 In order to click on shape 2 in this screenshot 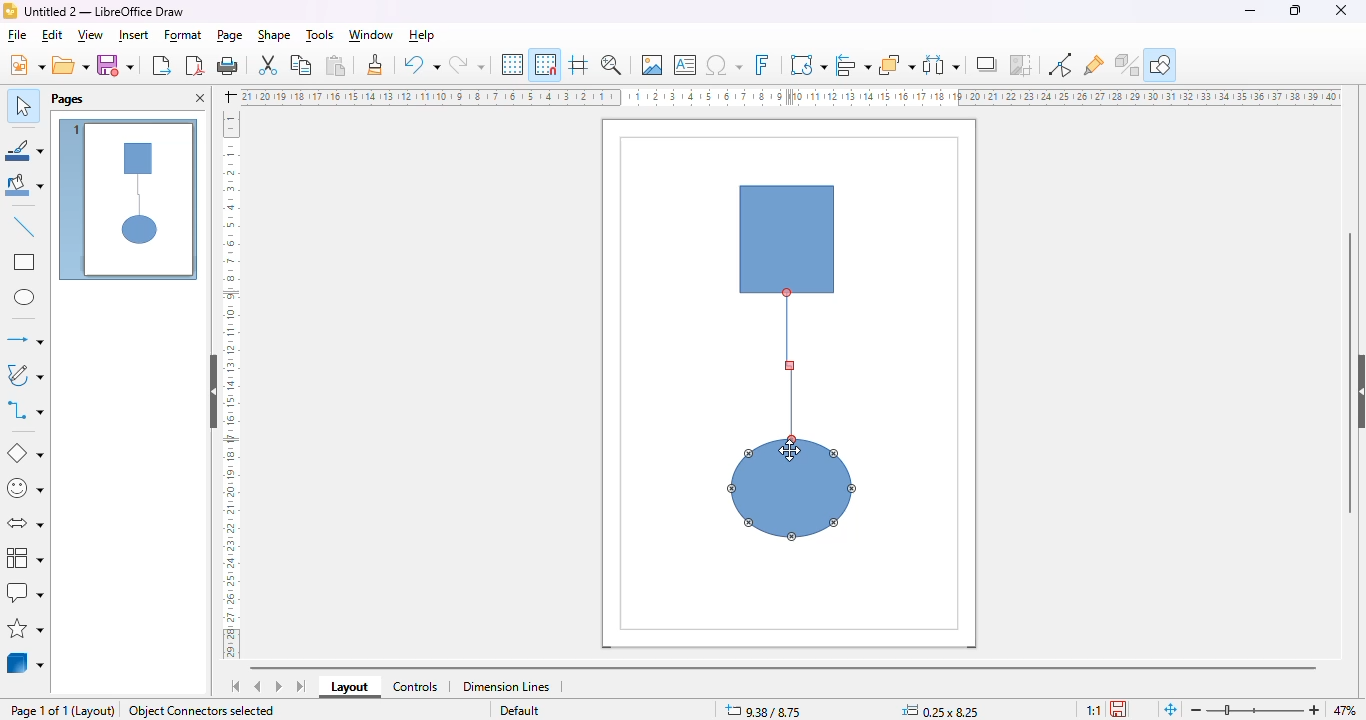, I will do `click(790, 491)`.